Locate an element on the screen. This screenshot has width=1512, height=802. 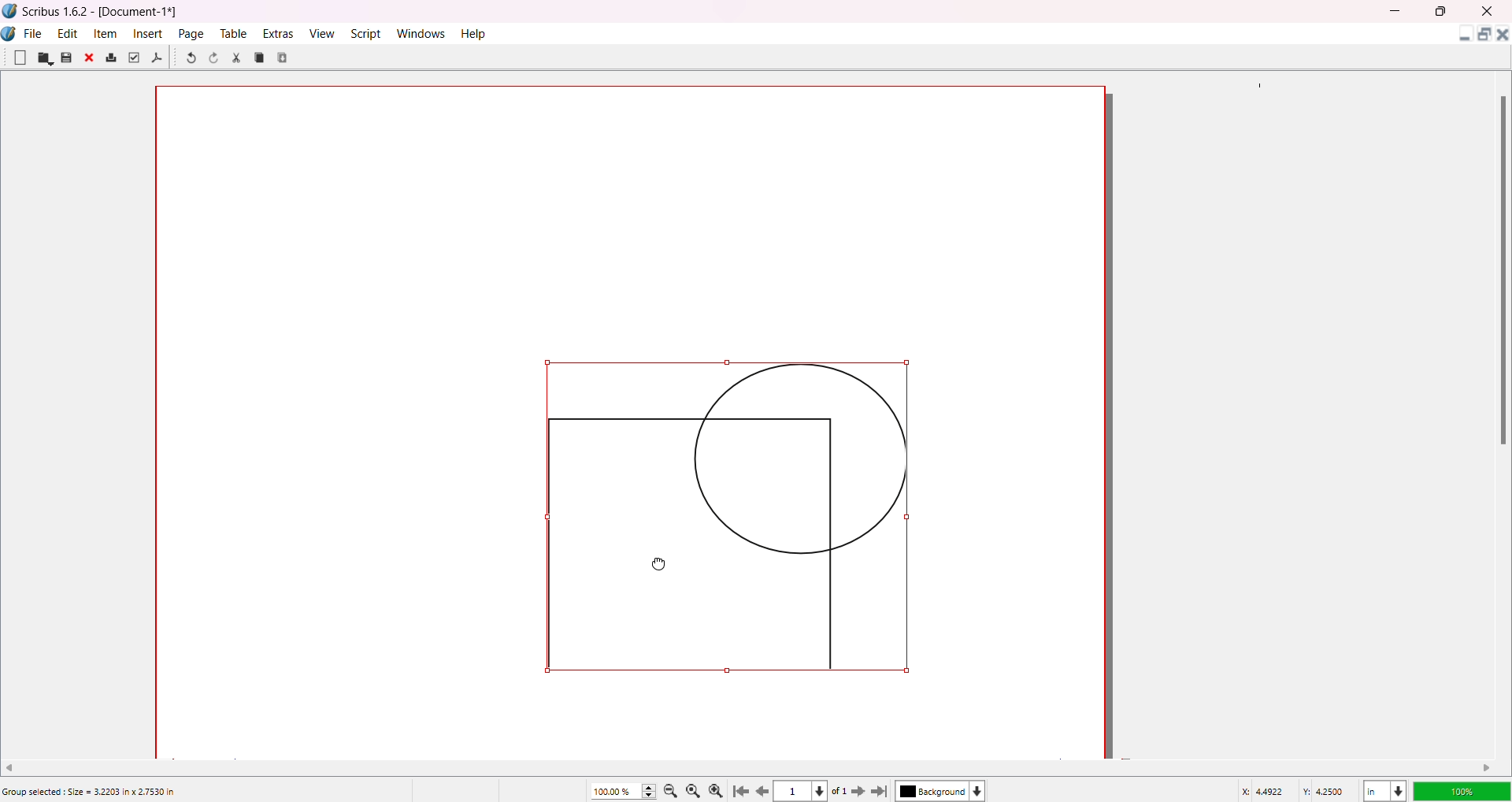
MInimize is located at coordinates (1398, 11).